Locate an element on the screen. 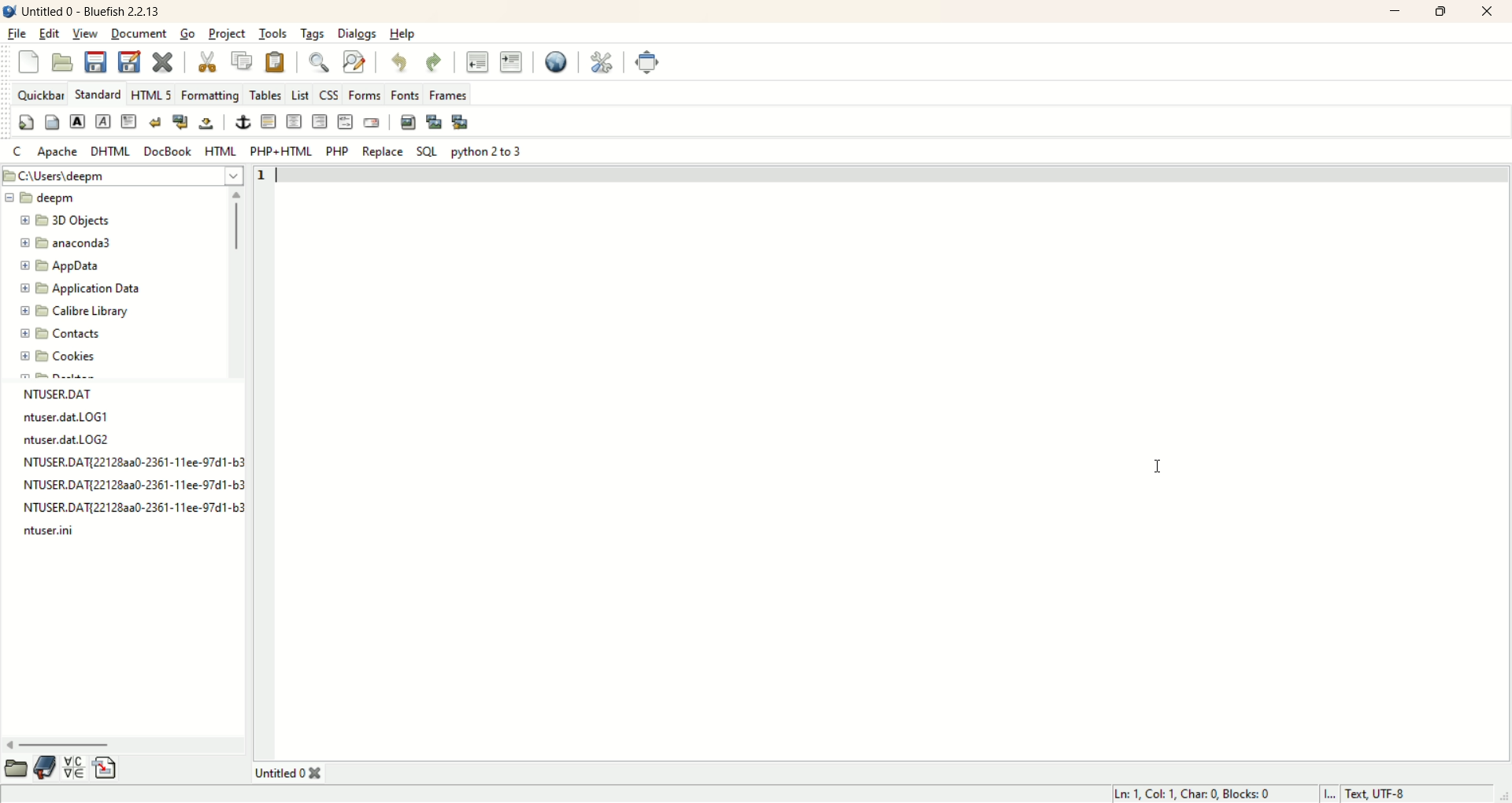 This screenshot has height=803, width=1512. 3D objects is located at coordinates (65, 221).